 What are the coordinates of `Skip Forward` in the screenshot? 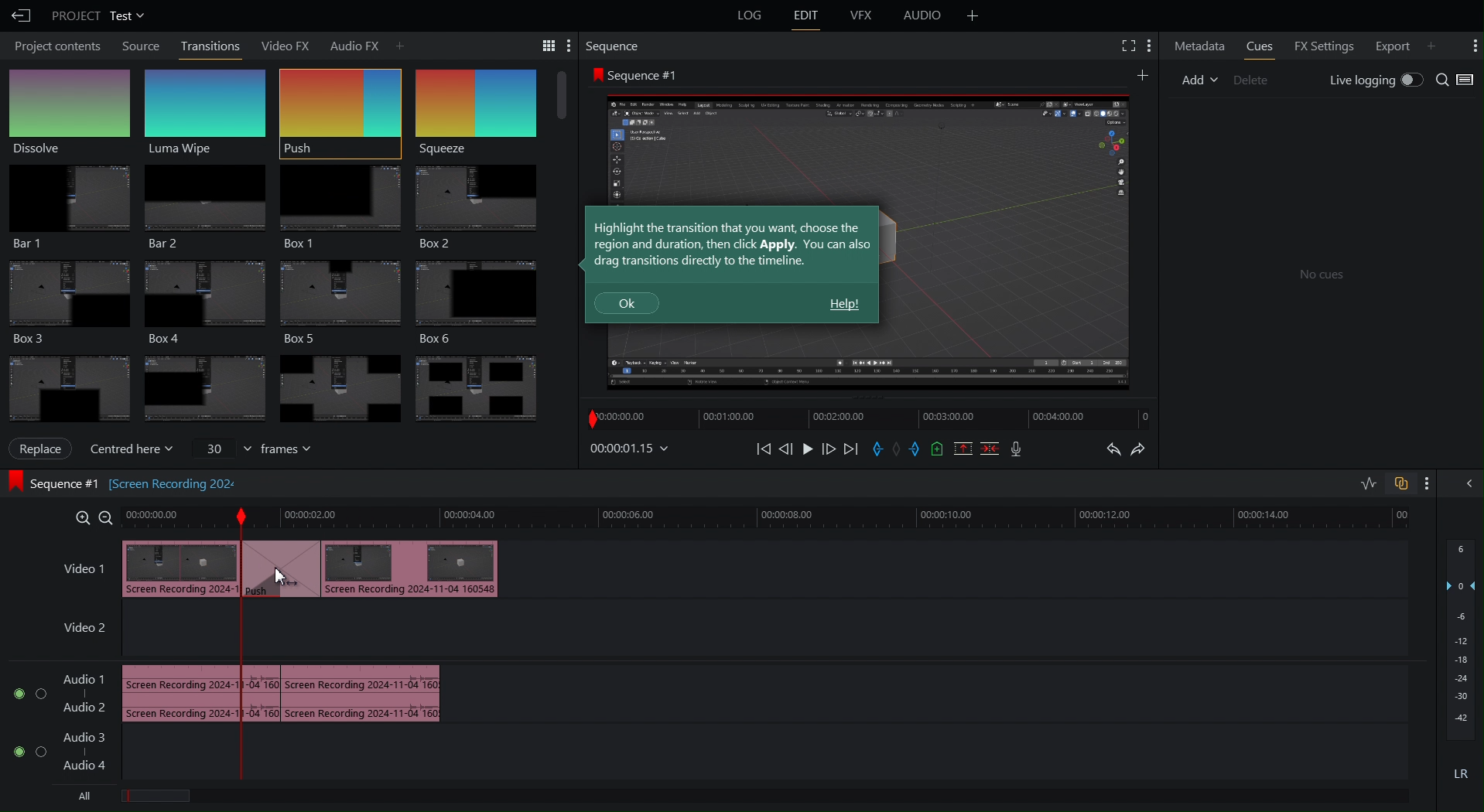 It's located at (850, 450).